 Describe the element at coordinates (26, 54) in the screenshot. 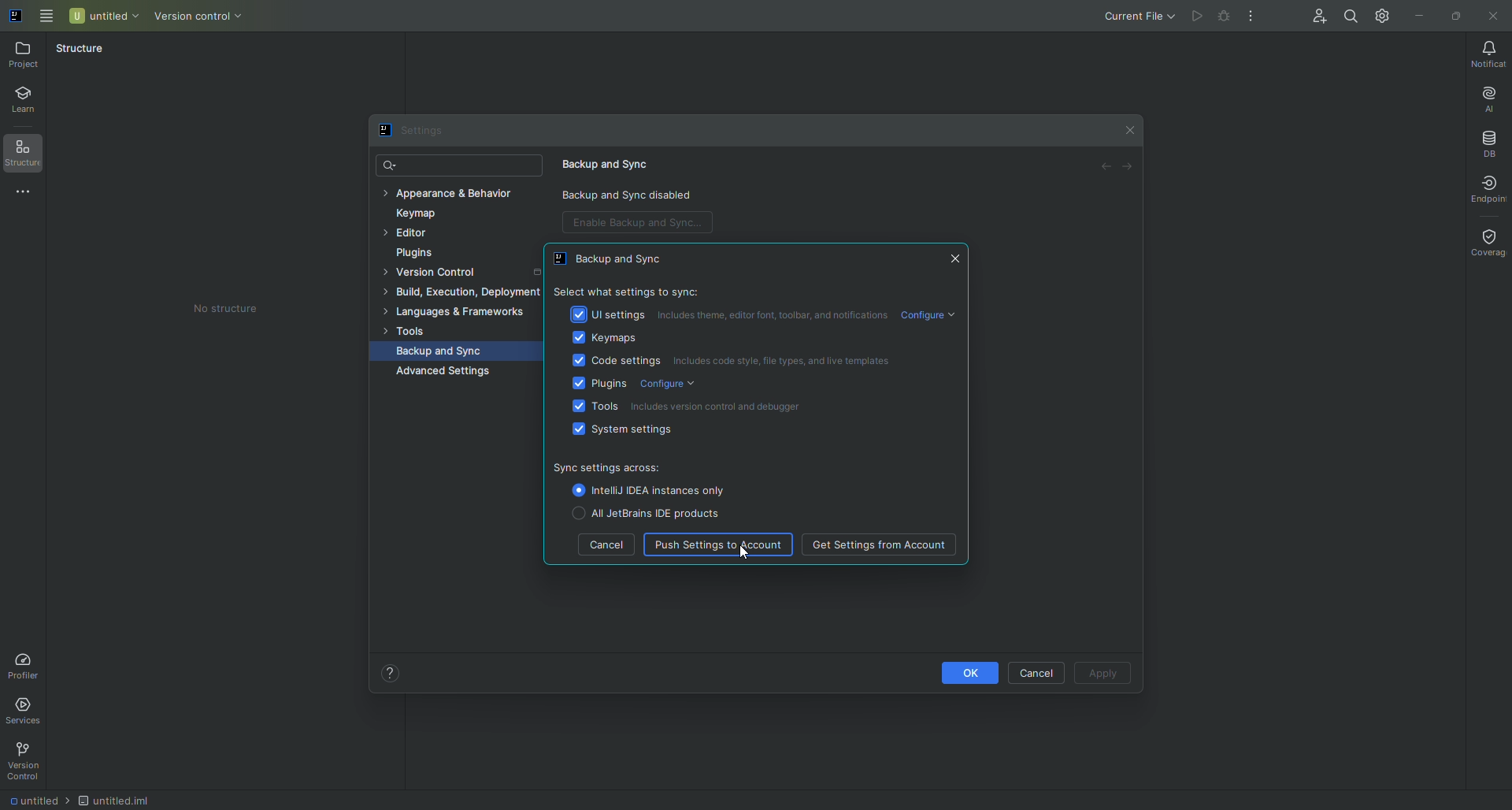

I see `Project` at that location.